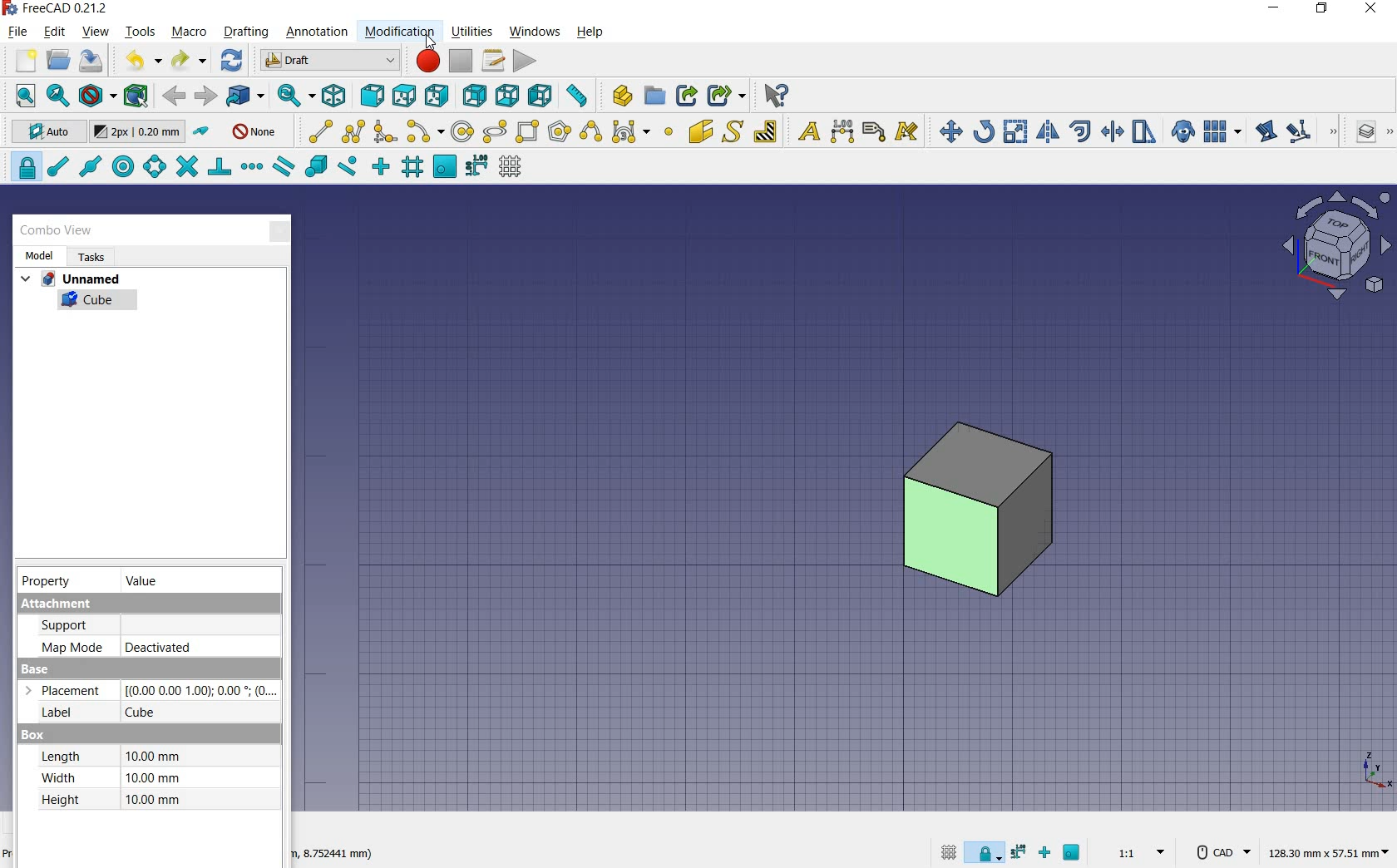  What do you see at coordinates (734, 131) in the screenshot?
I see `shape from text` at bounding box center [734, 131].